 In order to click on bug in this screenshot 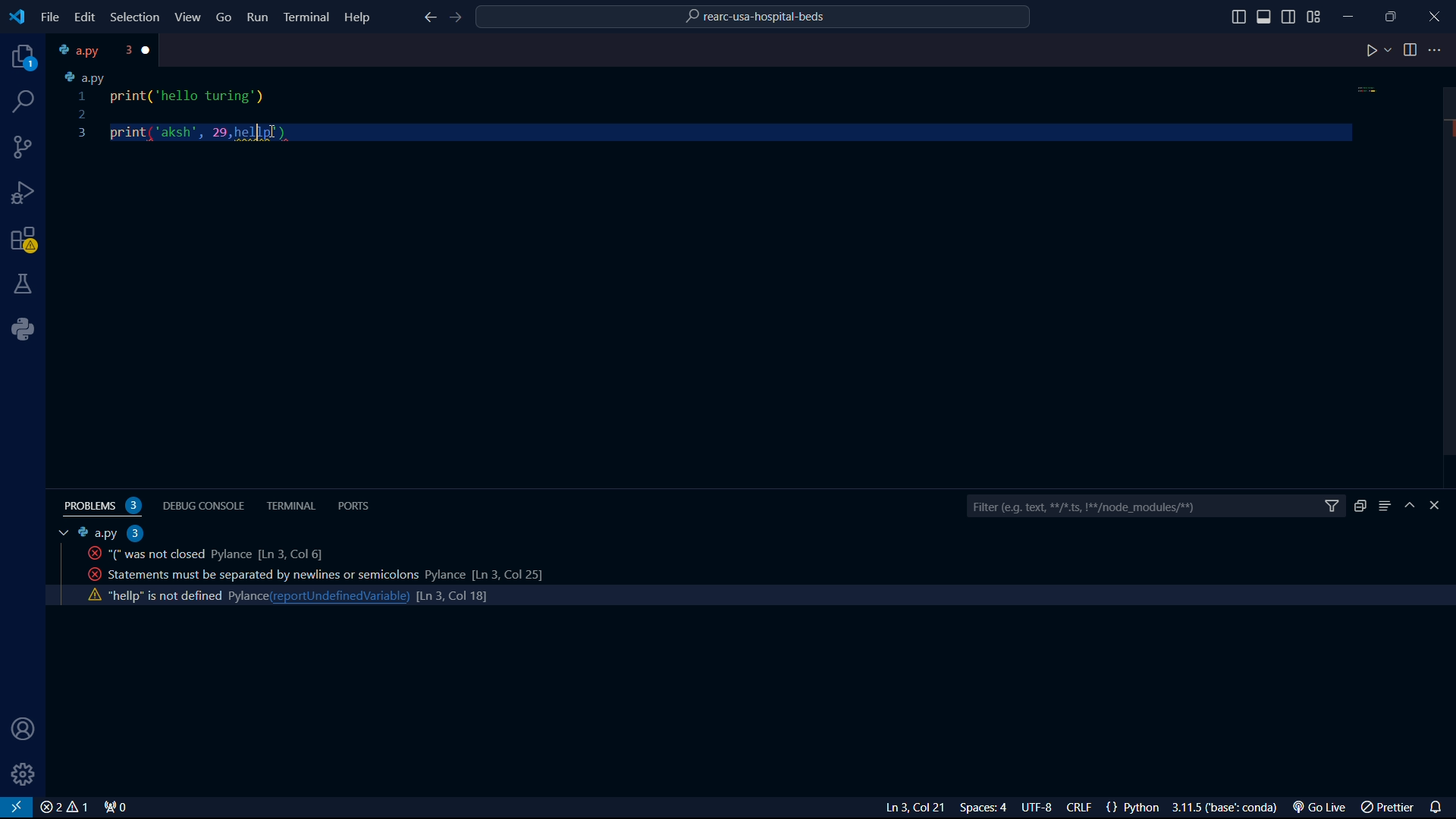, I will do `click(27, 190)`.